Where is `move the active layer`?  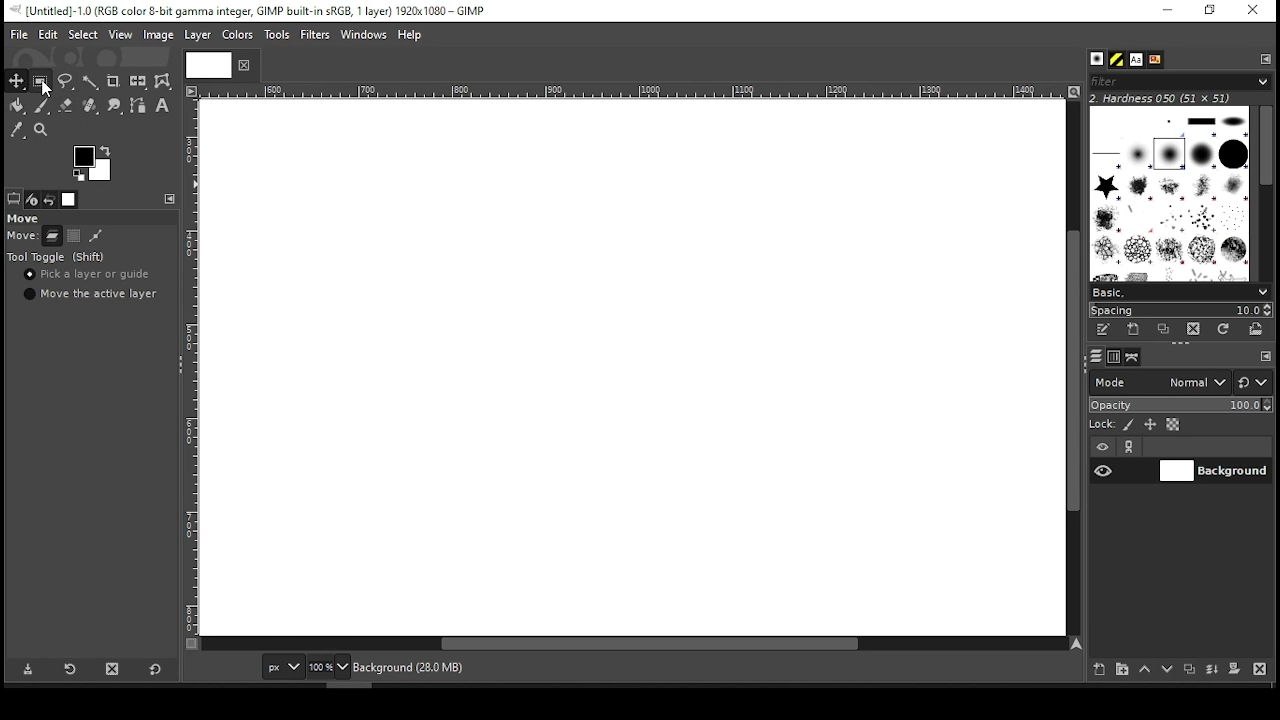 move the active layer is located at coordinates (91, 292).